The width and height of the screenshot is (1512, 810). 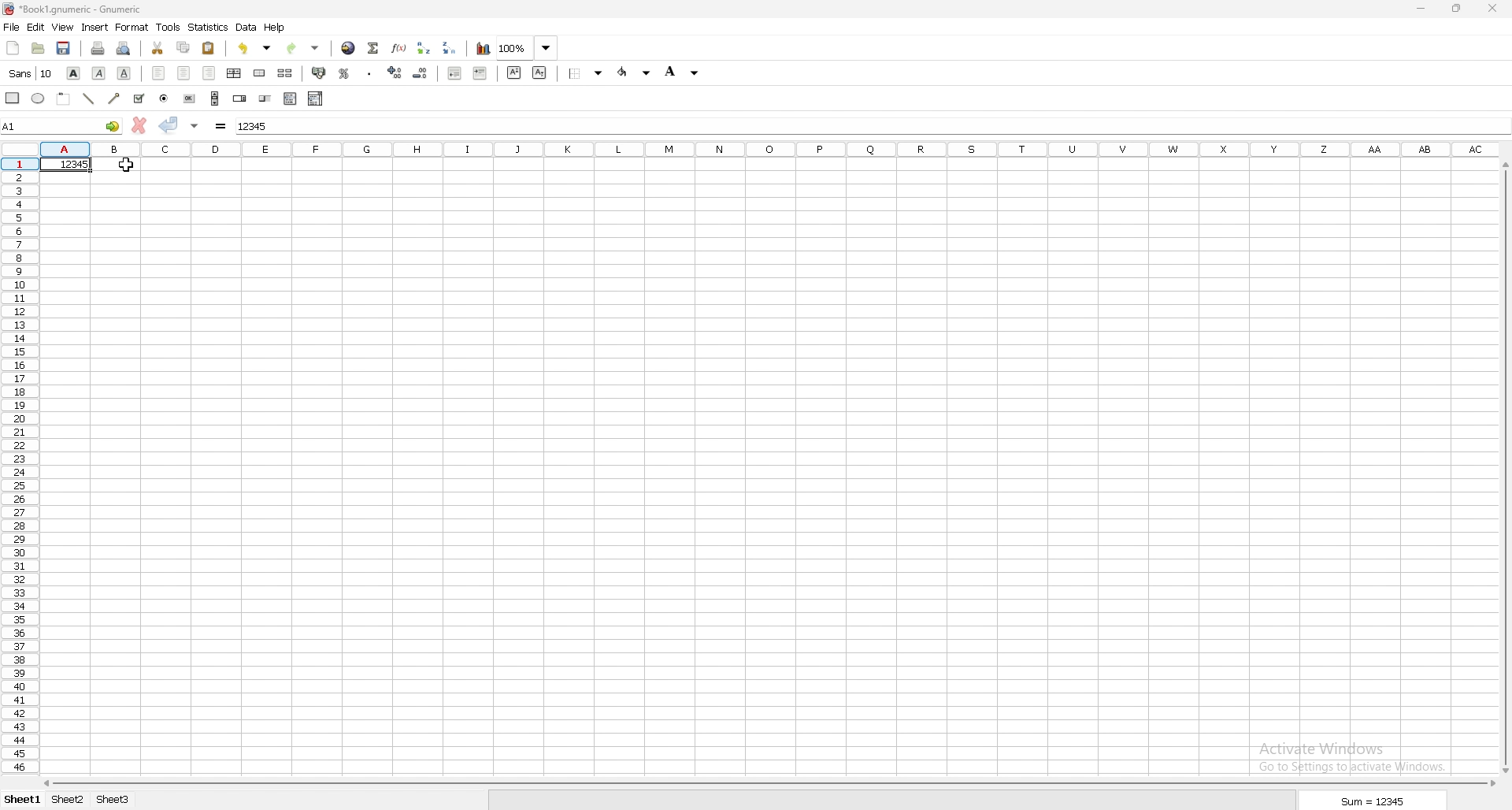 I want to click on subscript, so click(x=539, y=72).